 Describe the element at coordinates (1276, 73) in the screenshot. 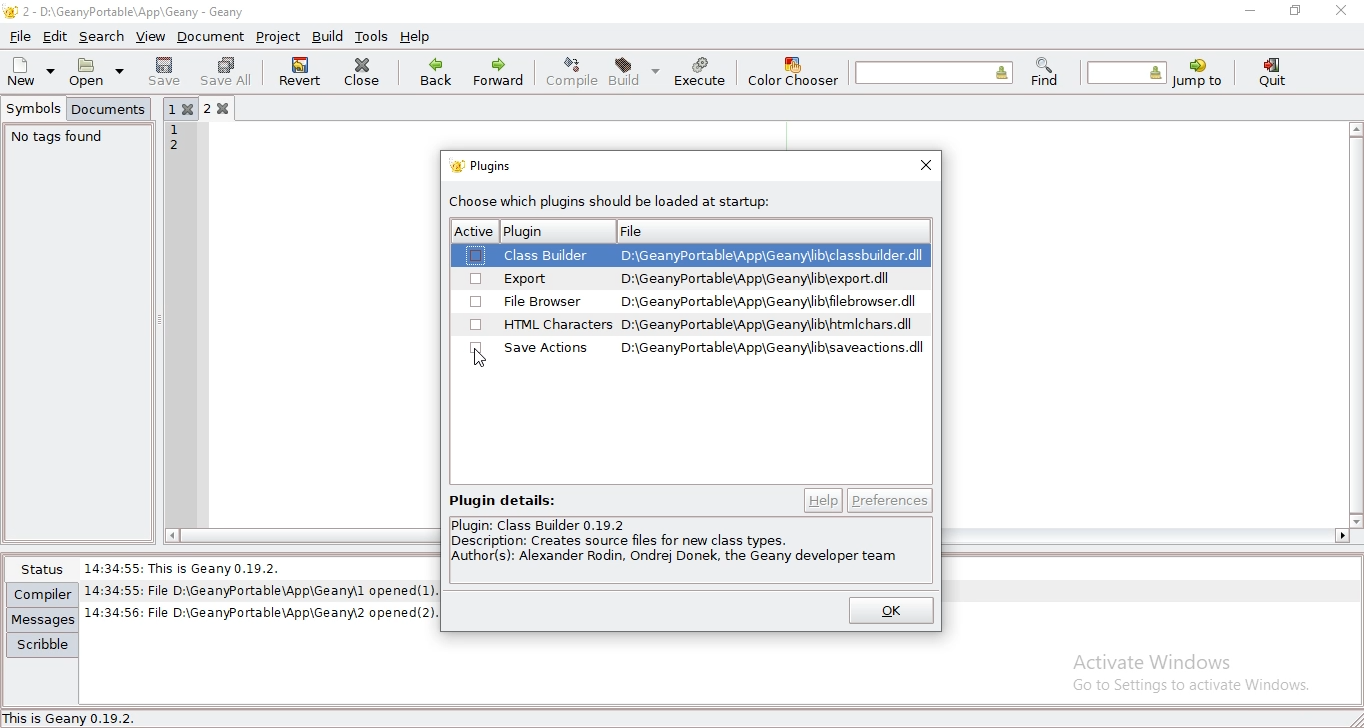

I see `quit` at that location.